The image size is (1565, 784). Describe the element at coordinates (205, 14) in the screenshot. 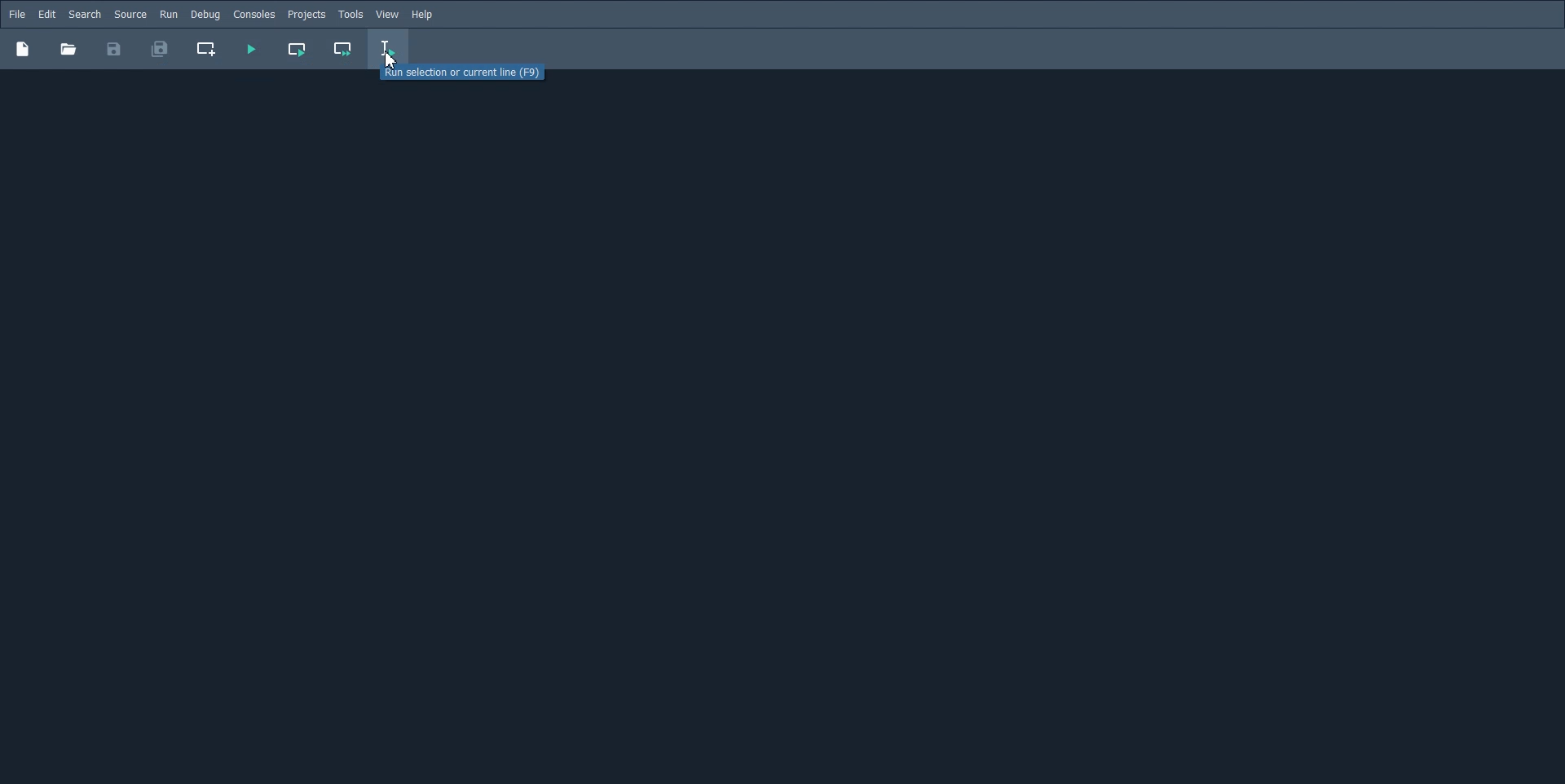

I see `Debug` at that location.